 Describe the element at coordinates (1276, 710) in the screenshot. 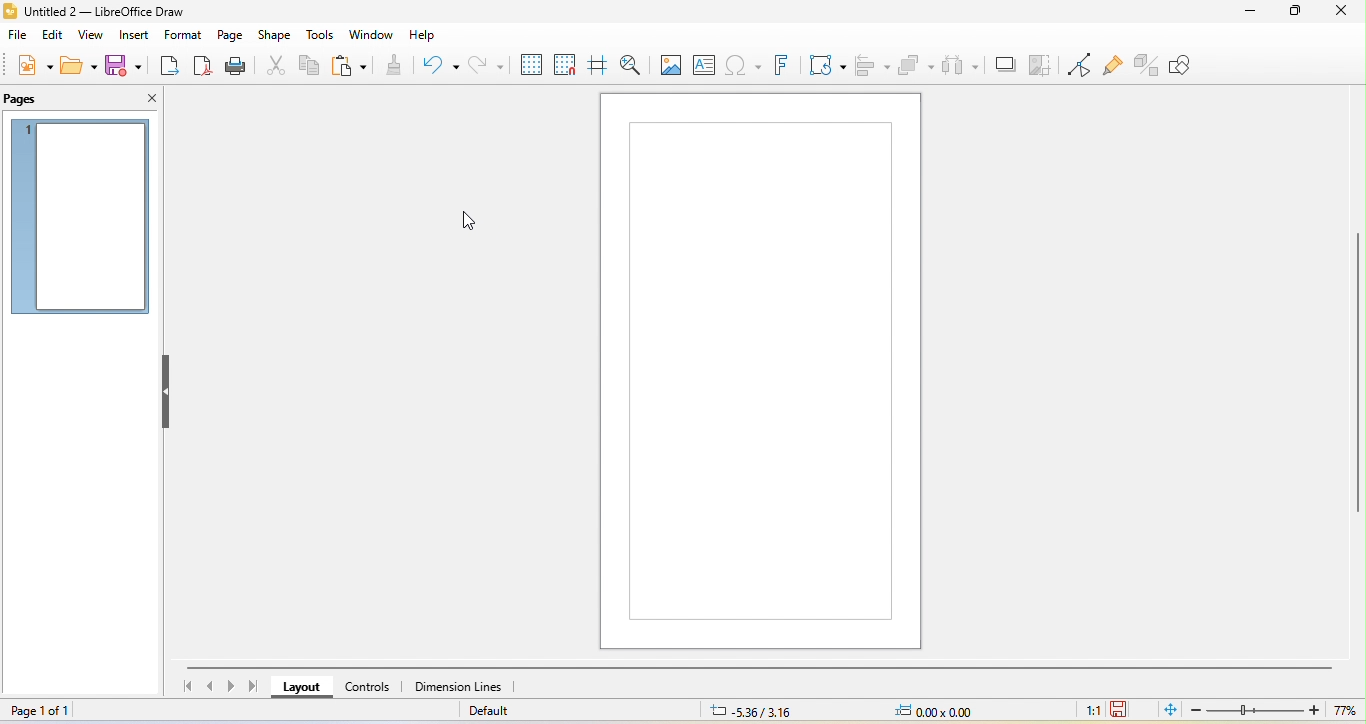

I see `zoom` at that location.